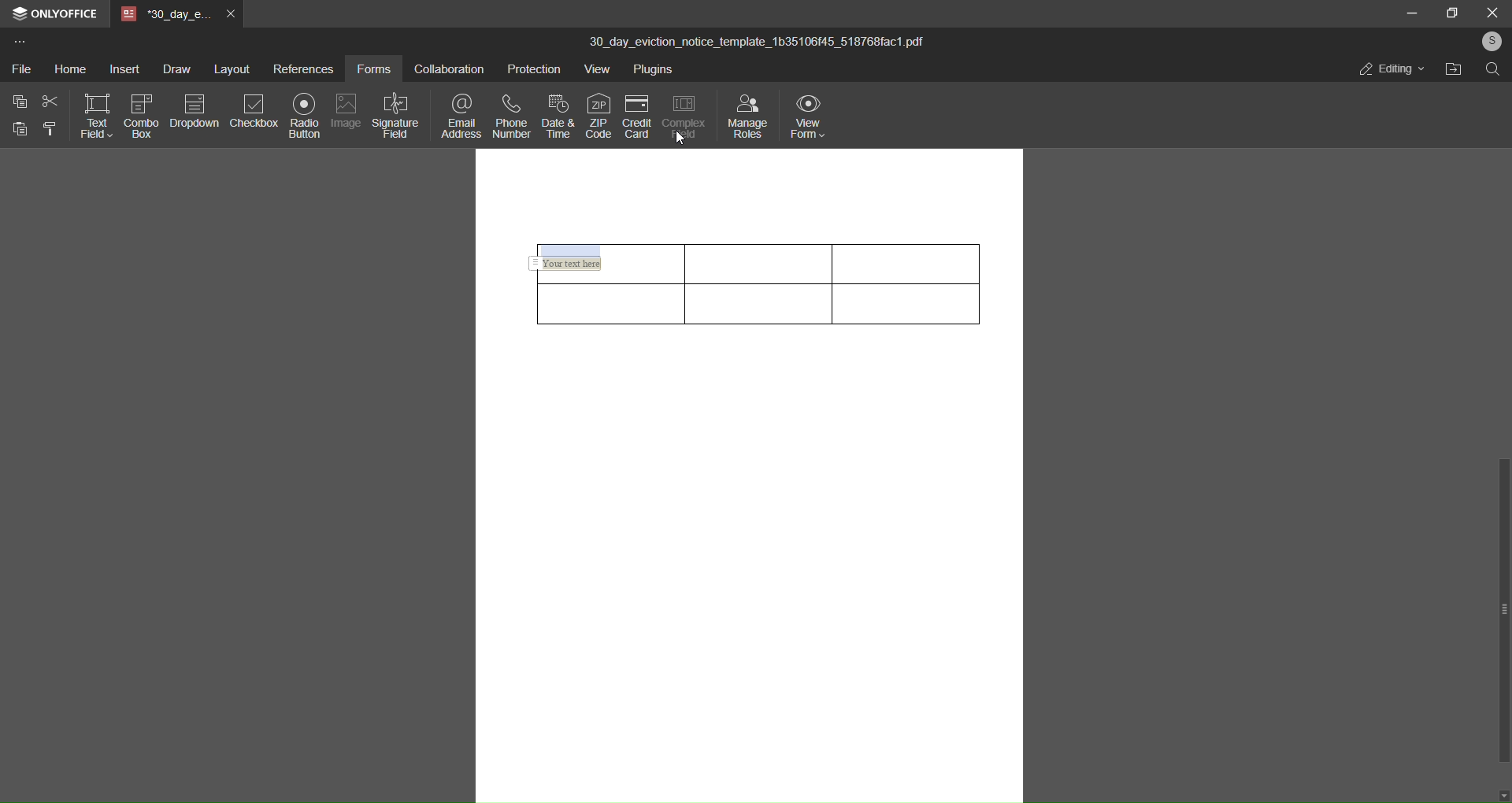 This screenshot has width=1512, height=803. What do you see at coordinates (1499, 608) in the screenshot?
I see `scroll bar` at bounding box center [1499, 608].